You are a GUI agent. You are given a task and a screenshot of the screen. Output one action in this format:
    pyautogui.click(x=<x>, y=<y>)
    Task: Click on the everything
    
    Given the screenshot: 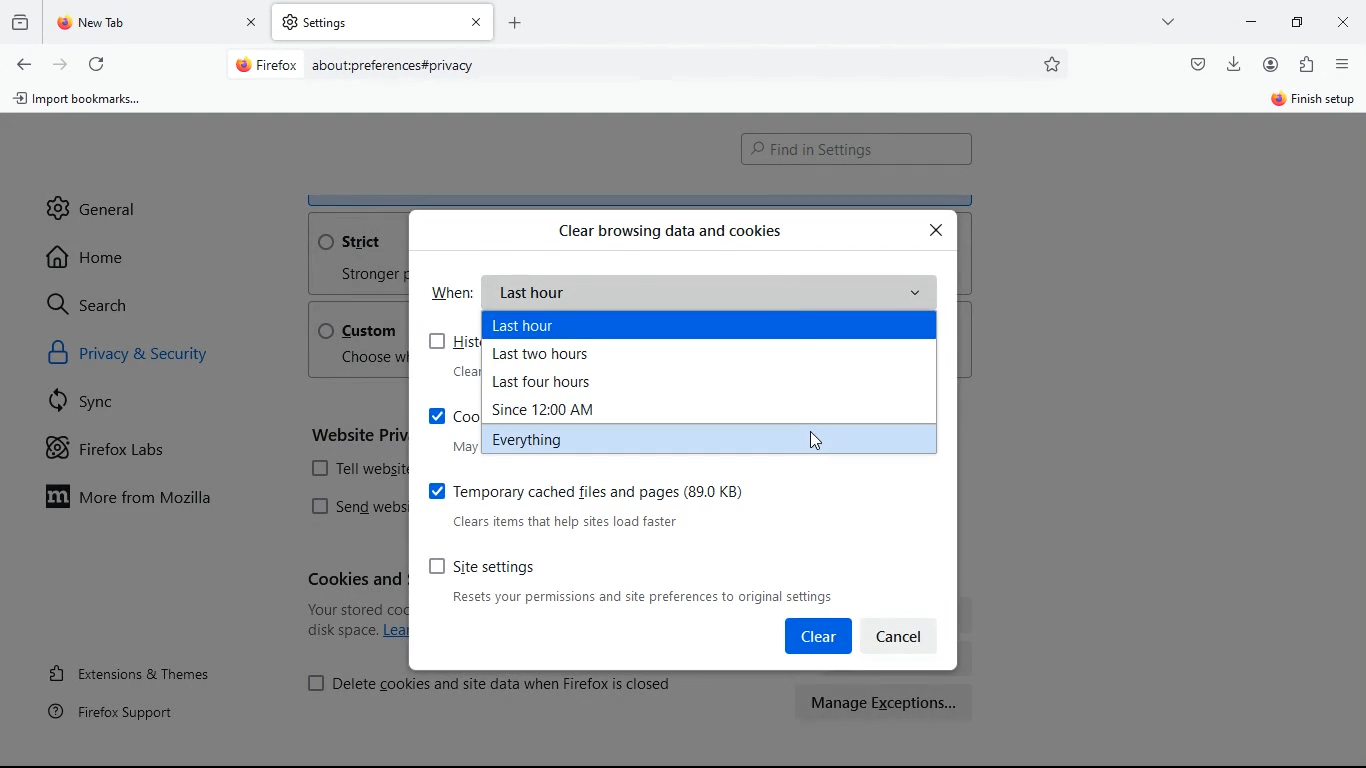 What is the action you would take?
    pyautogui.click(x=561, y=438)
    